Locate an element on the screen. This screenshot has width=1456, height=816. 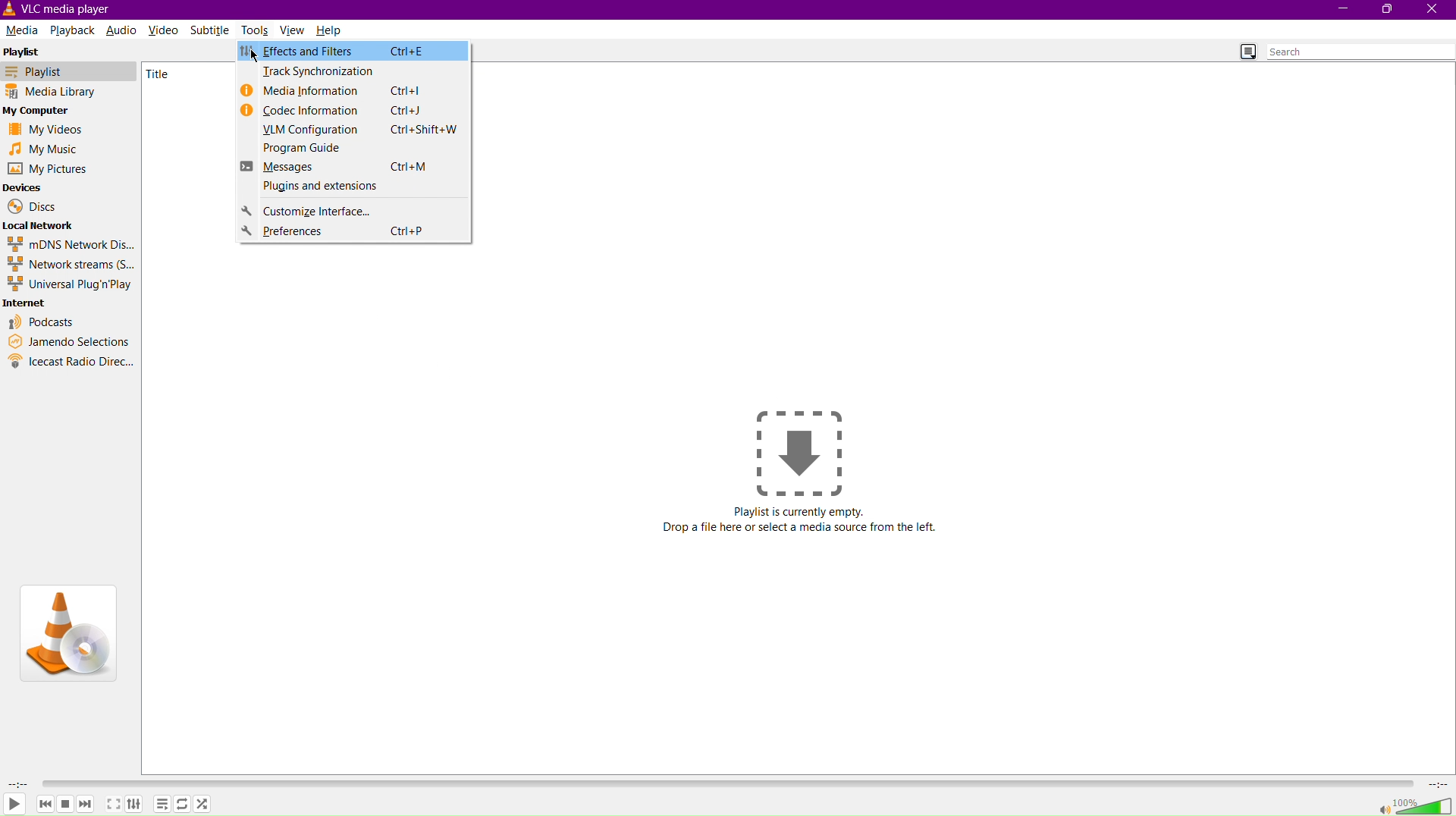
Playlist is located at coordinates (69, 71).